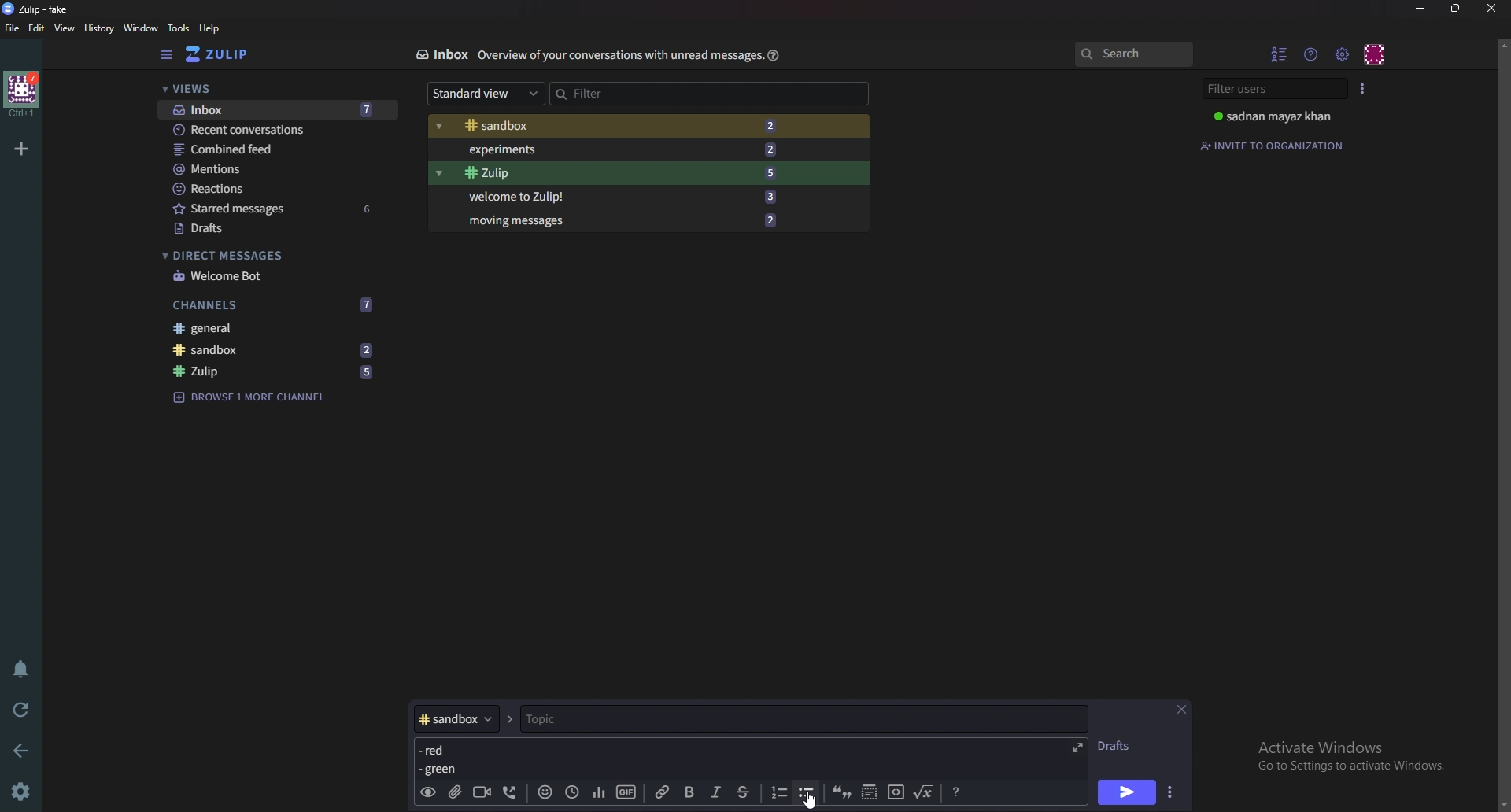 Image resolution: width=1511 pixels, height=812 pixels. What do you see at coordinates (794, 718) in the screenshot?
I see `Topic` at bounding box center [794, 718].